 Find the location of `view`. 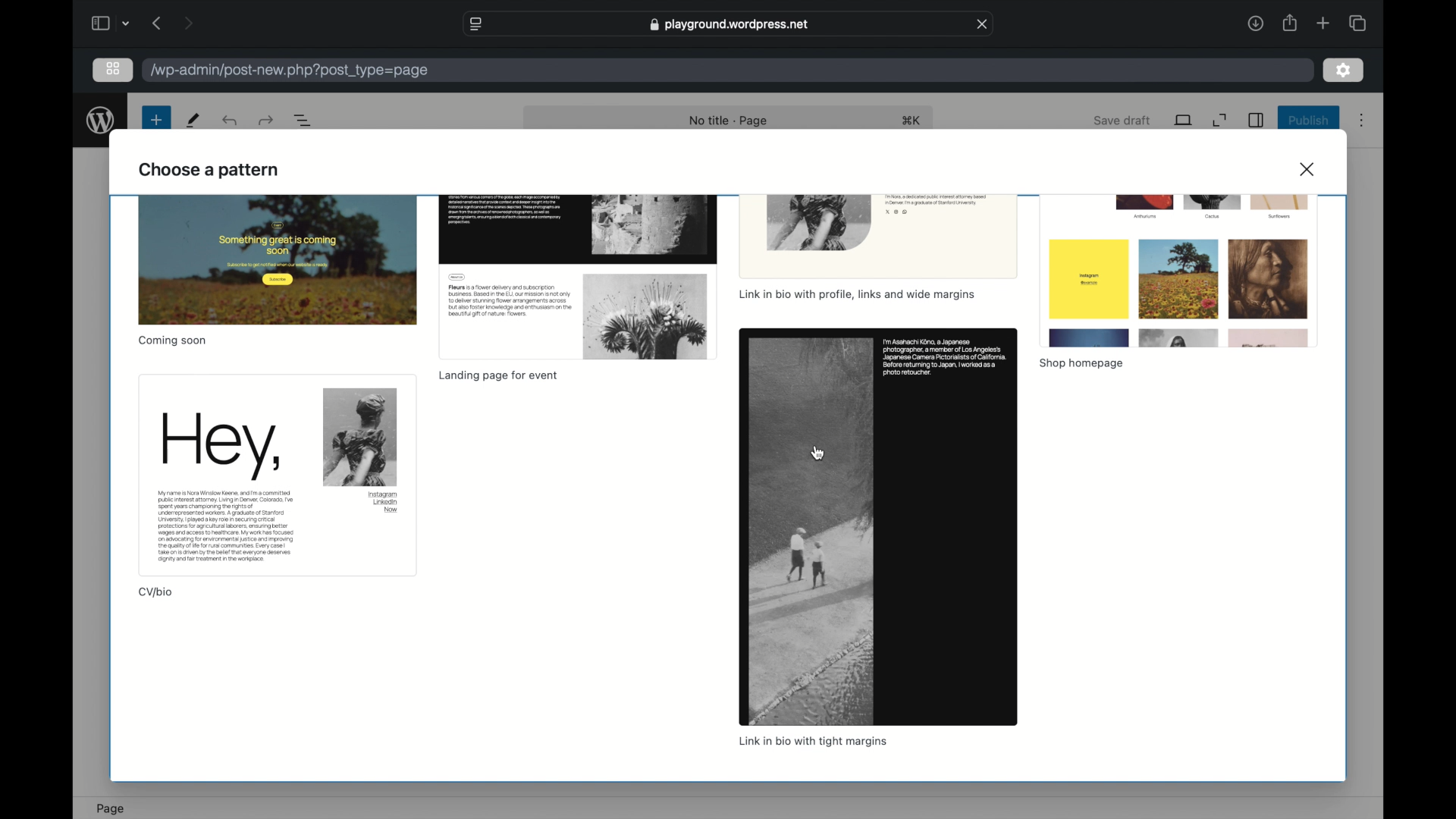

view is located at coordinates (1184, 120).